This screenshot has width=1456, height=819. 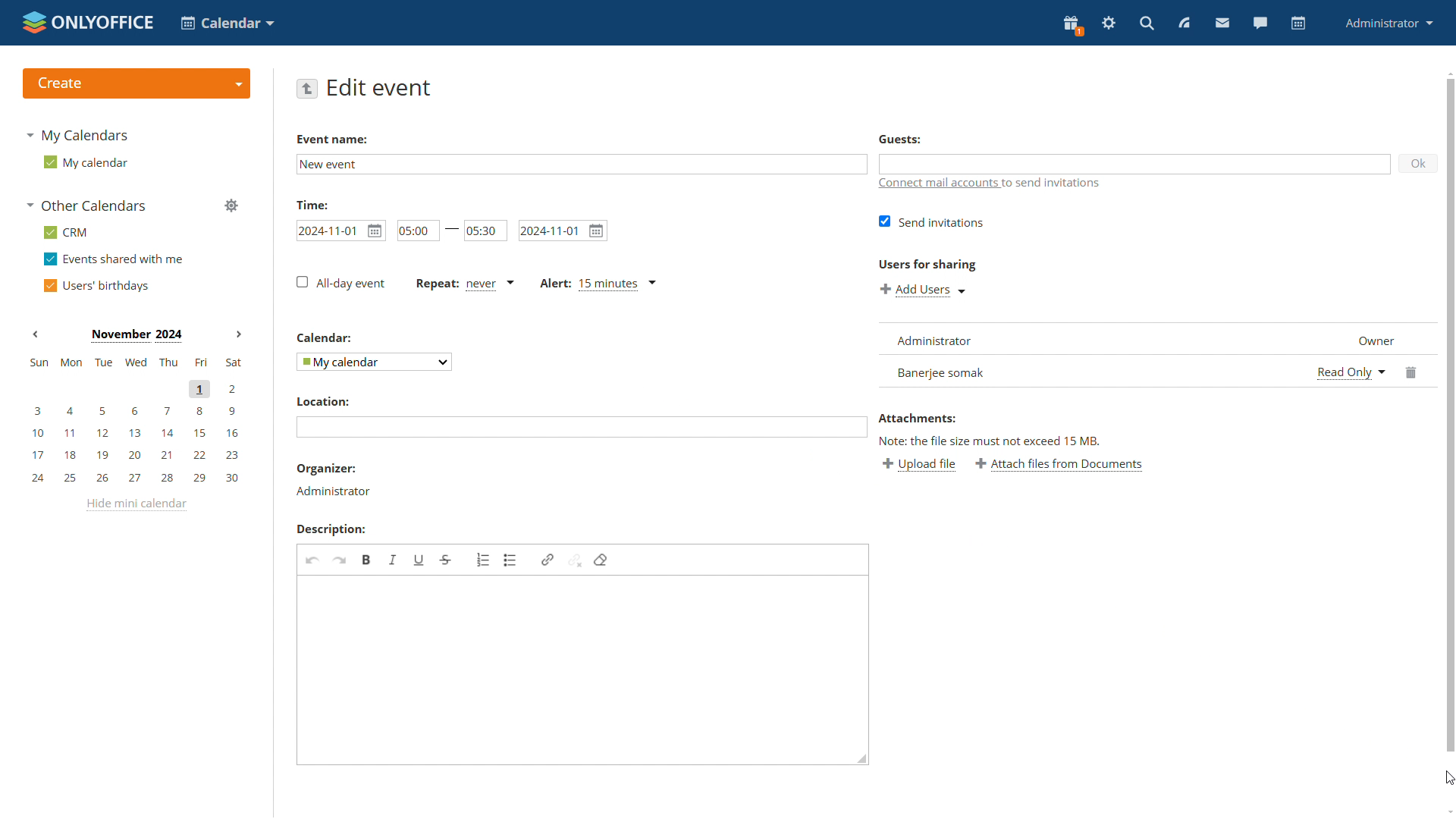 I want to click on edit event description, so click(x=585, y=670).